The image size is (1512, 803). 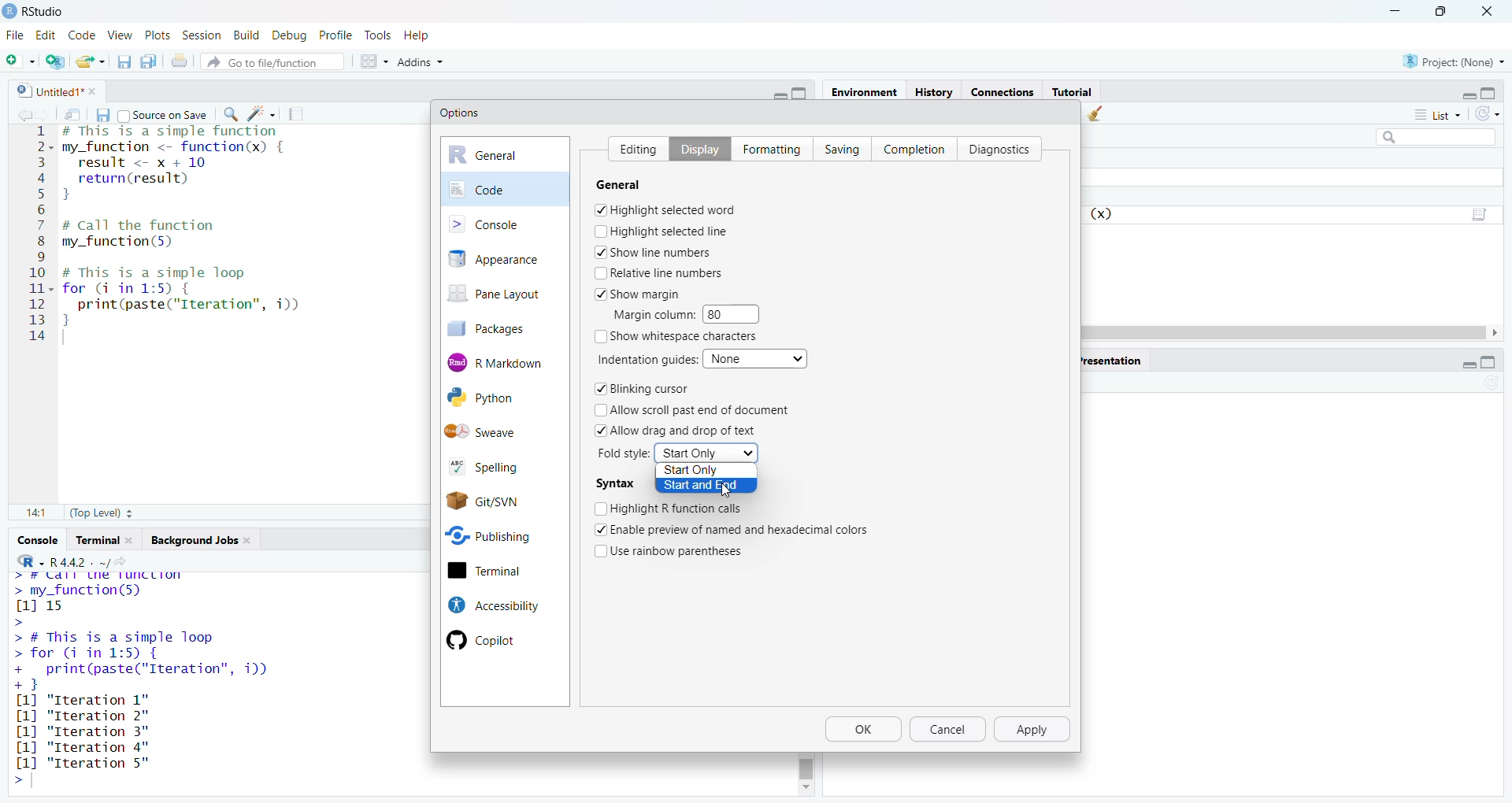 What do you see at coordinates (38, 237) in the screenshot?
I see `serial numbers` at bounding box center [38, 237].